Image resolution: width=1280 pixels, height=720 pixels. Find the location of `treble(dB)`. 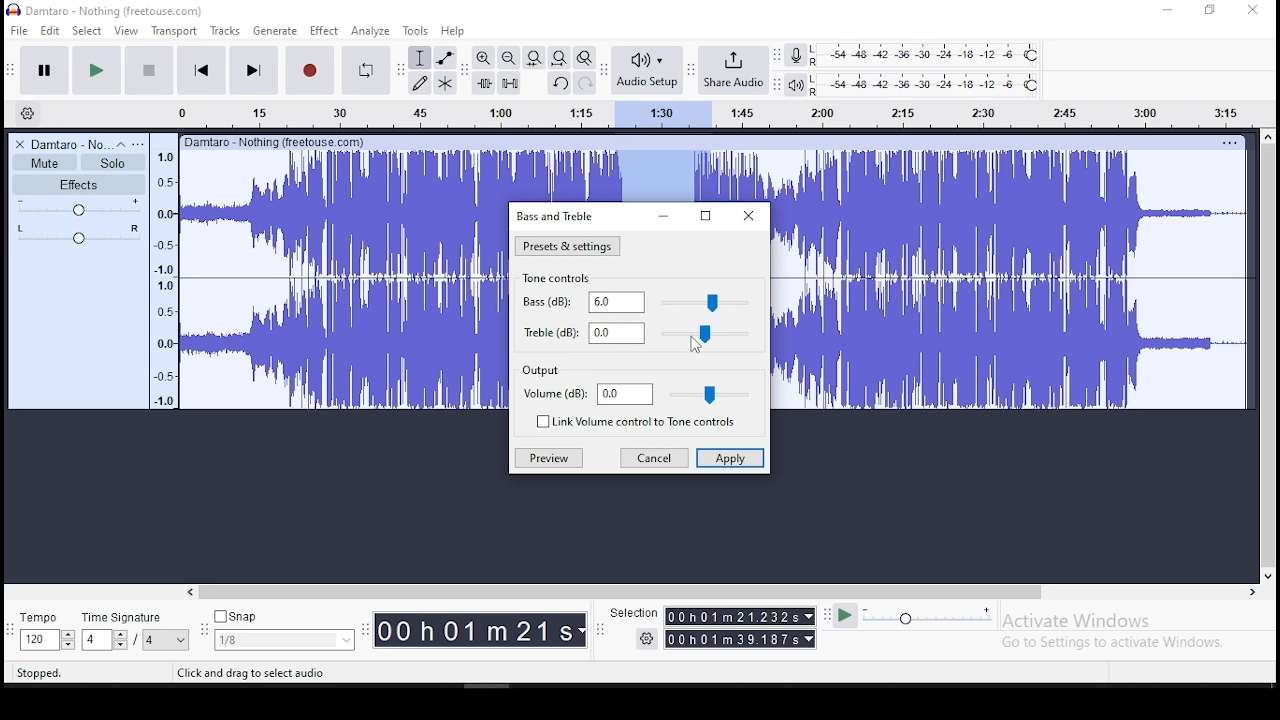

treble(dB) is located at coordinates (548, 331).